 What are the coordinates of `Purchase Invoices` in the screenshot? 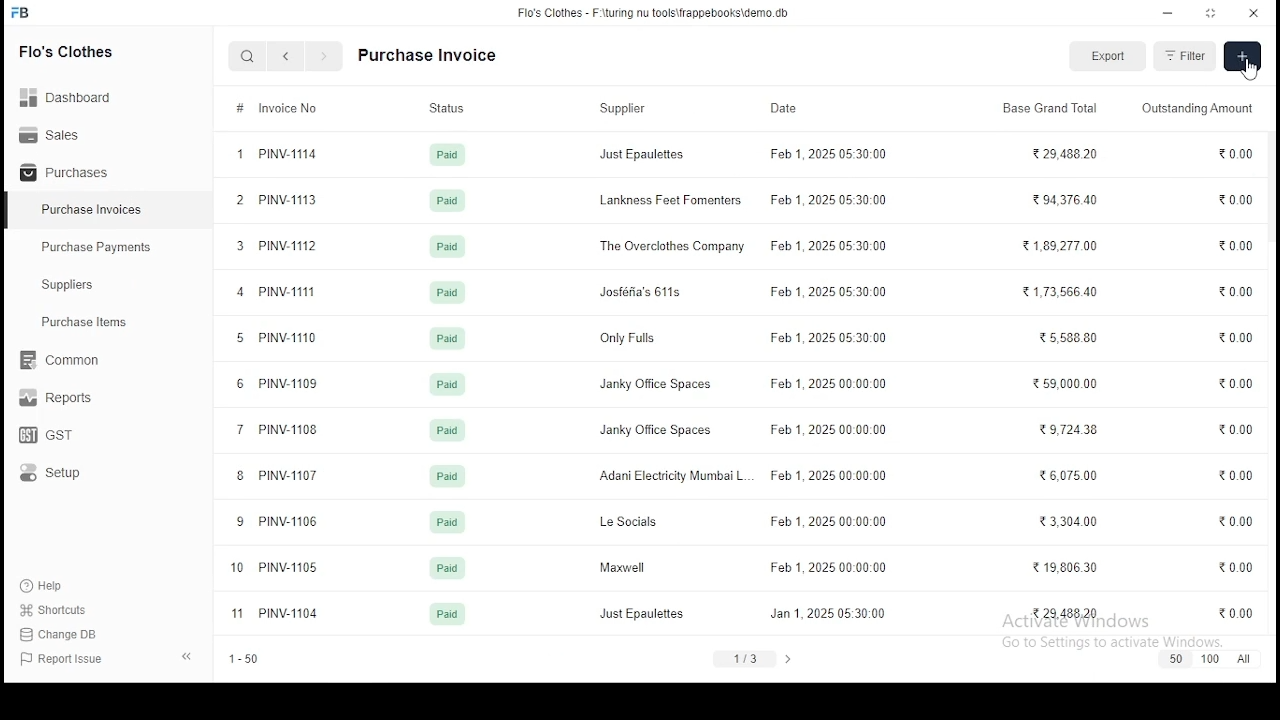 It's located at (95, 210).